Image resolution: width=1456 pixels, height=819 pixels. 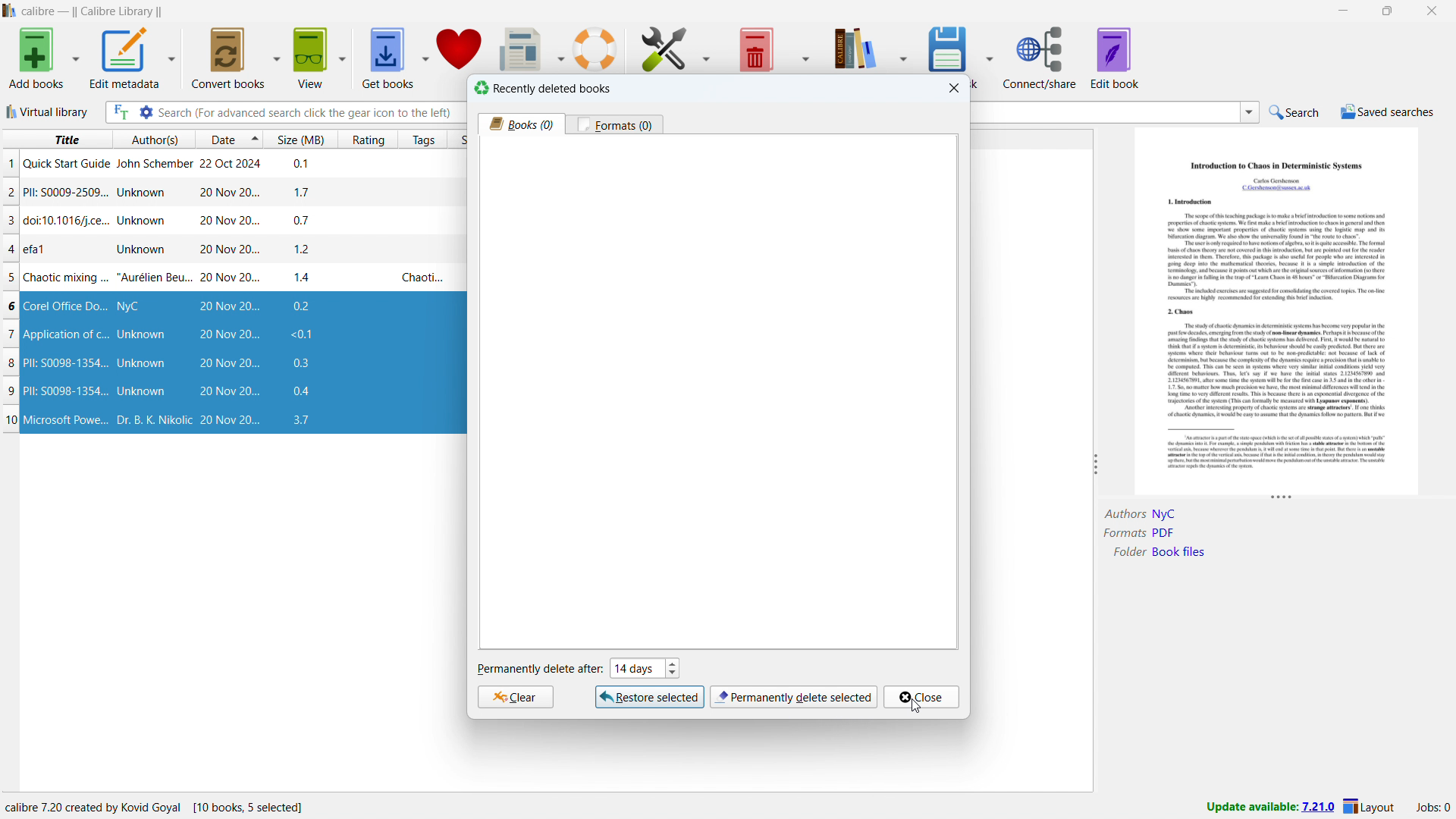 I want to click on layout, so click(x=1371, y=807).